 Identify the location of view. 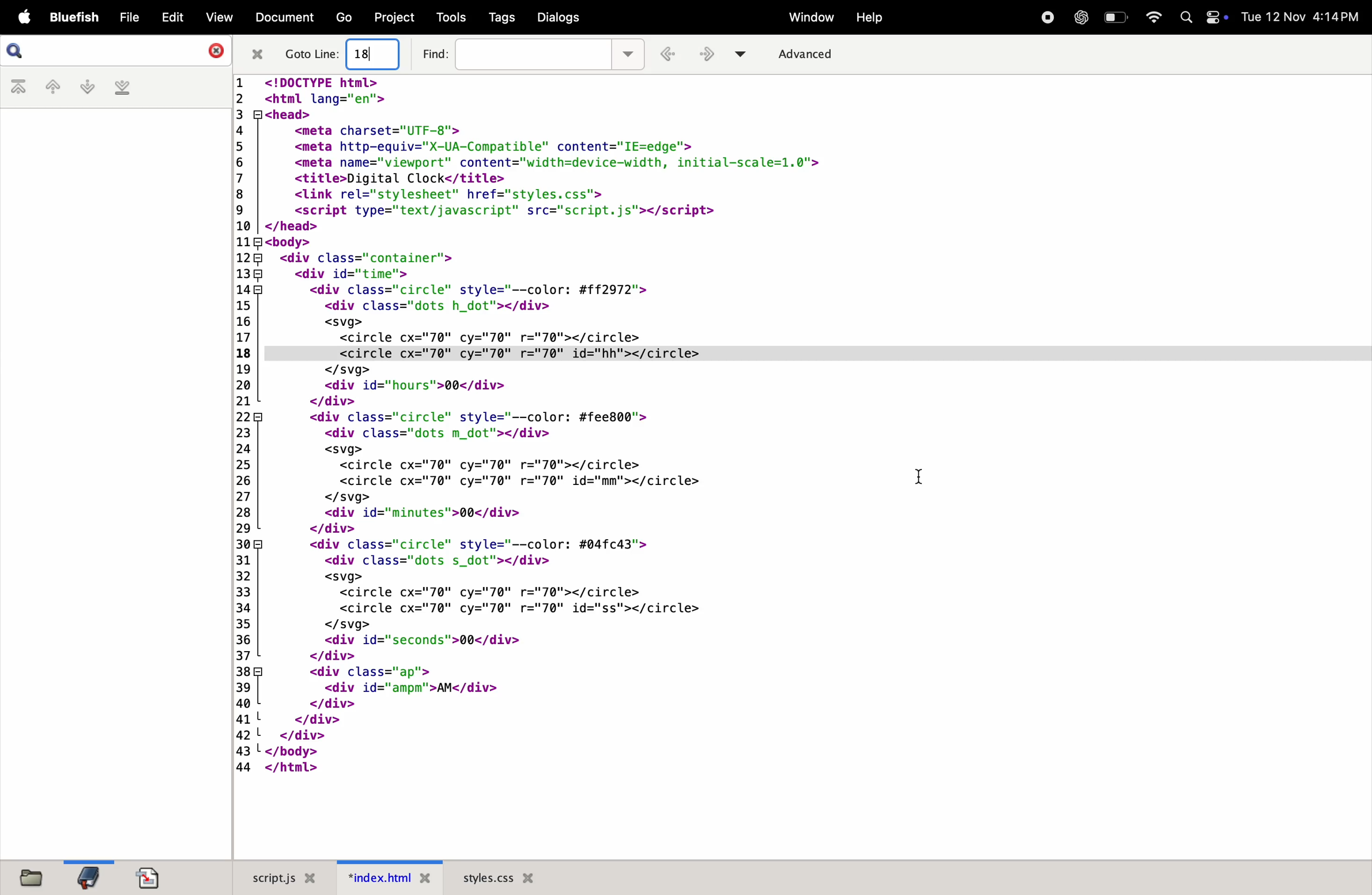
(214, 17).